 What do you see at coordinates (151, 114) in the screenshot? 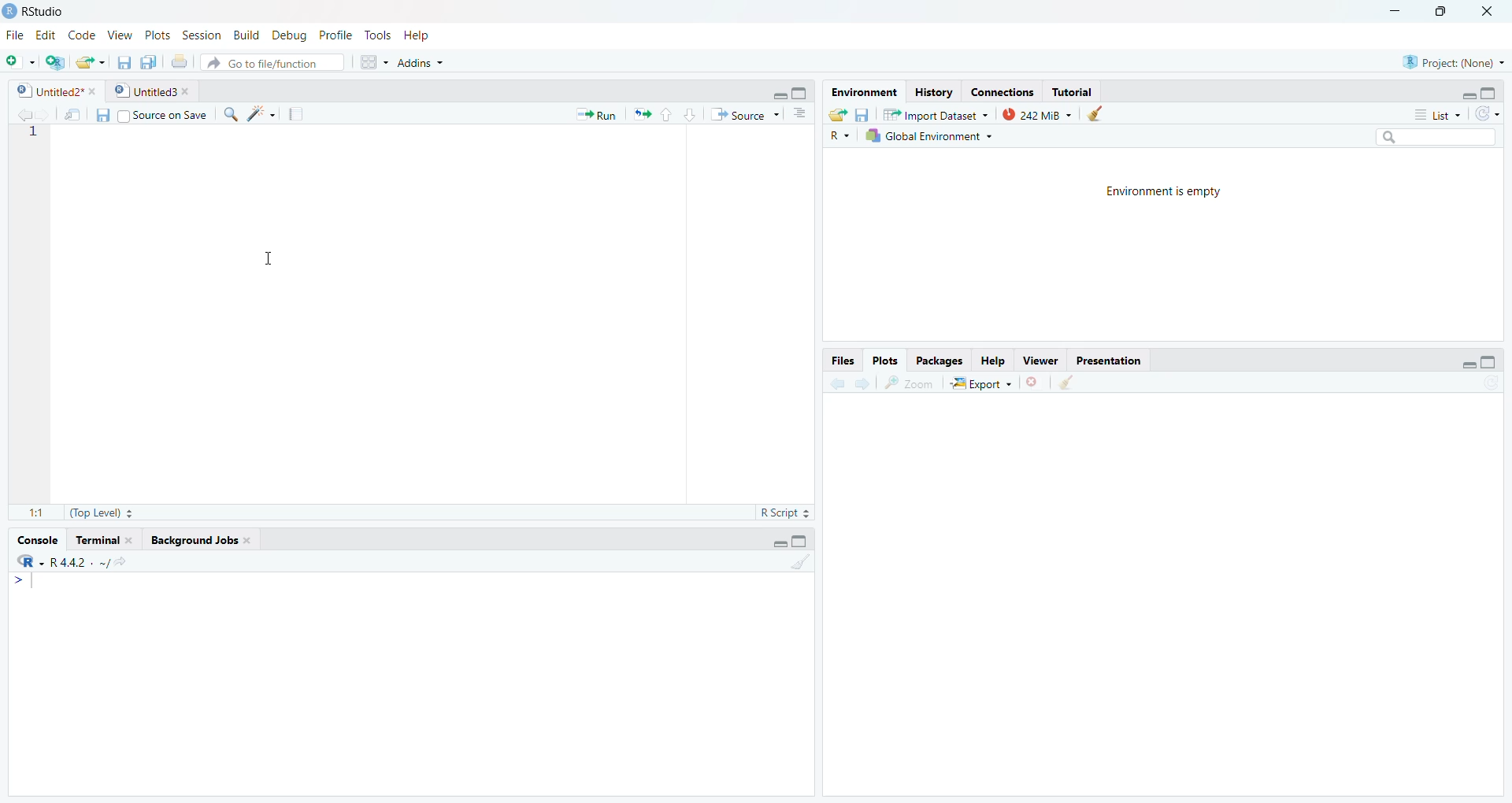
I see `Source on Save` at bounding box center [151, 114].